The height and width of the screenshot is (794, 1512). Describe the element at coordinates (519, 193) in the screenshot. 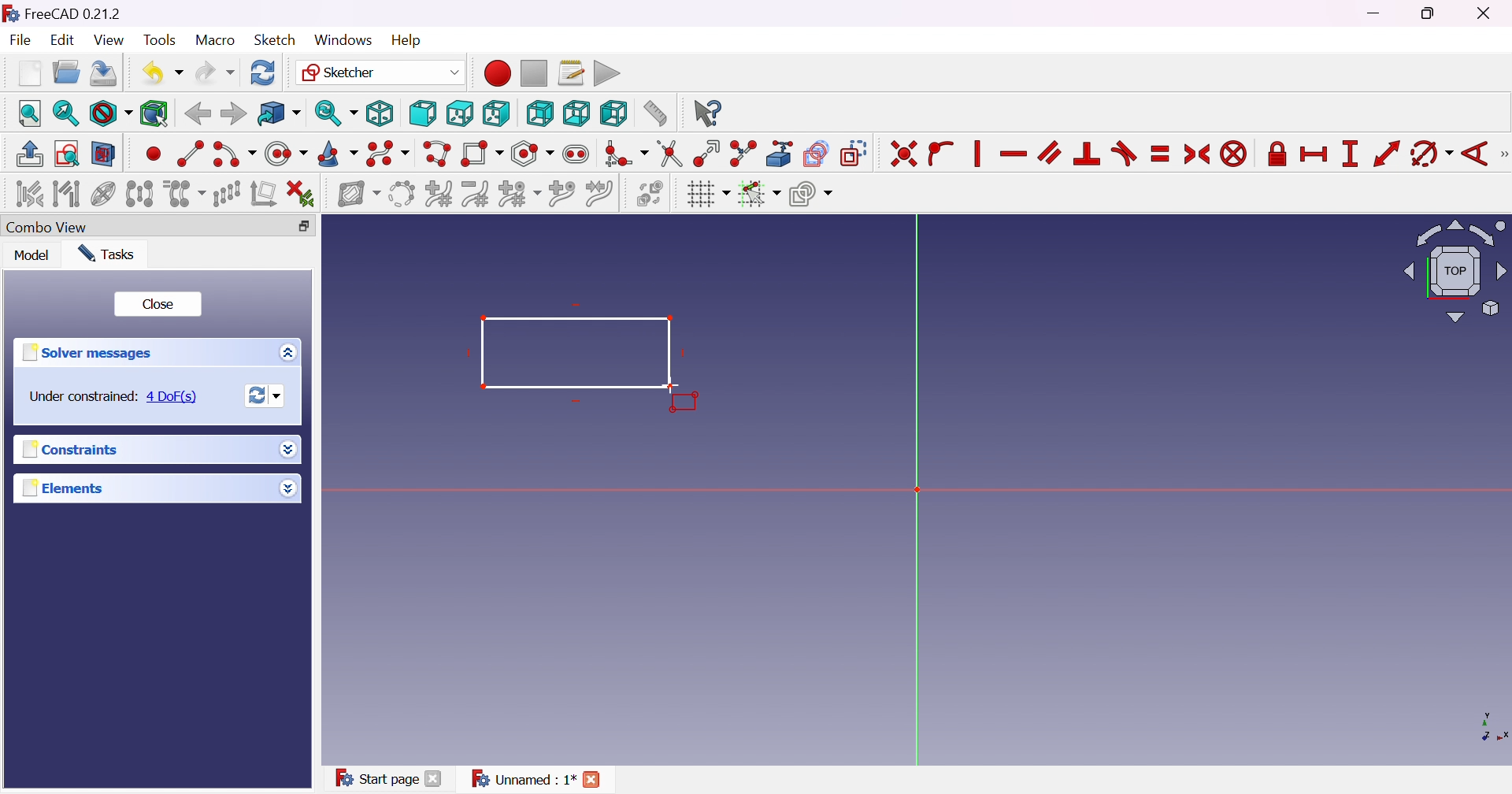

I see `Modify knot multiplicity` at that location.